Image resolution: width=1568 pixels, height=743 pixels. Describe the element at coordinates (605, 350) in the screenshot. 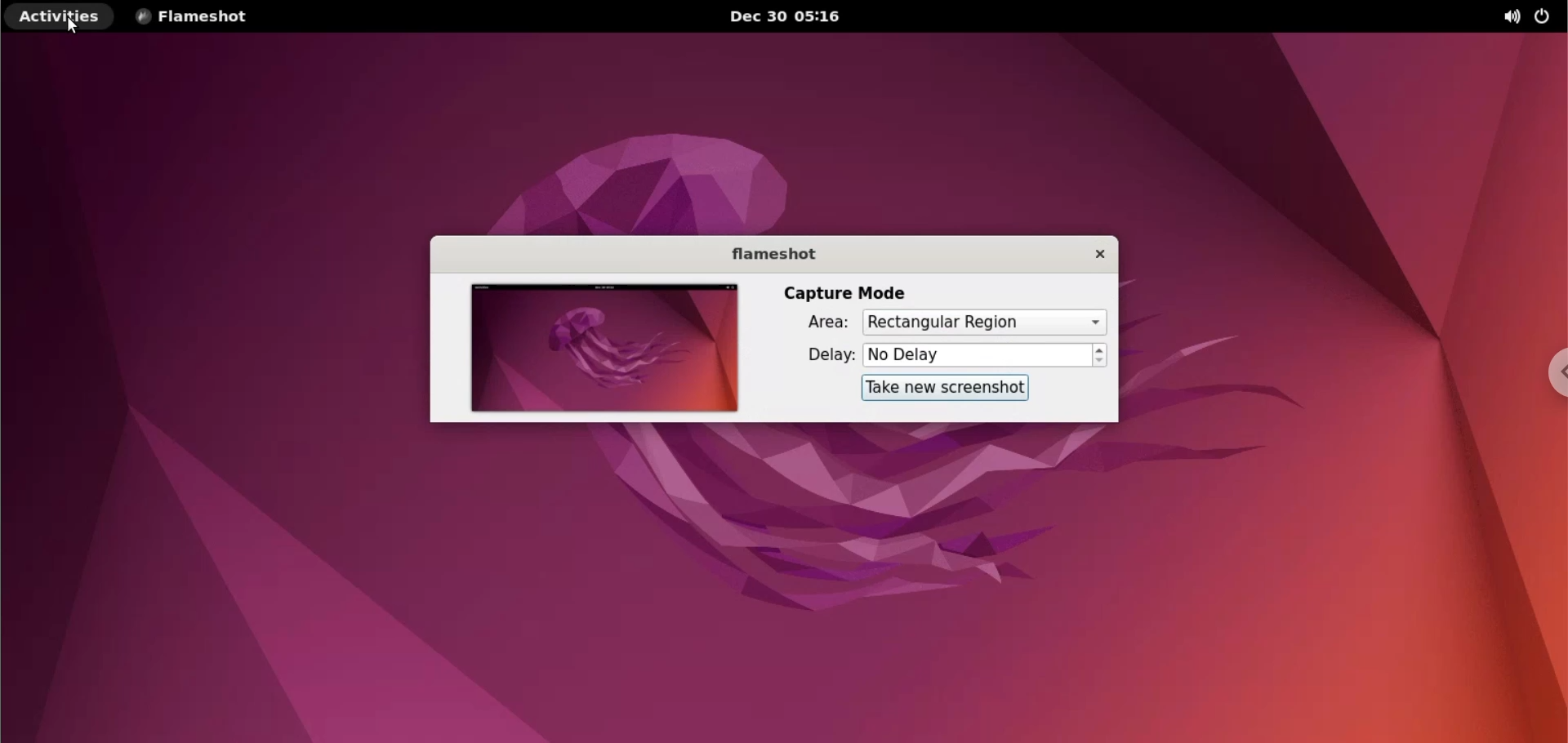

I see `screenshot preview` at that location.